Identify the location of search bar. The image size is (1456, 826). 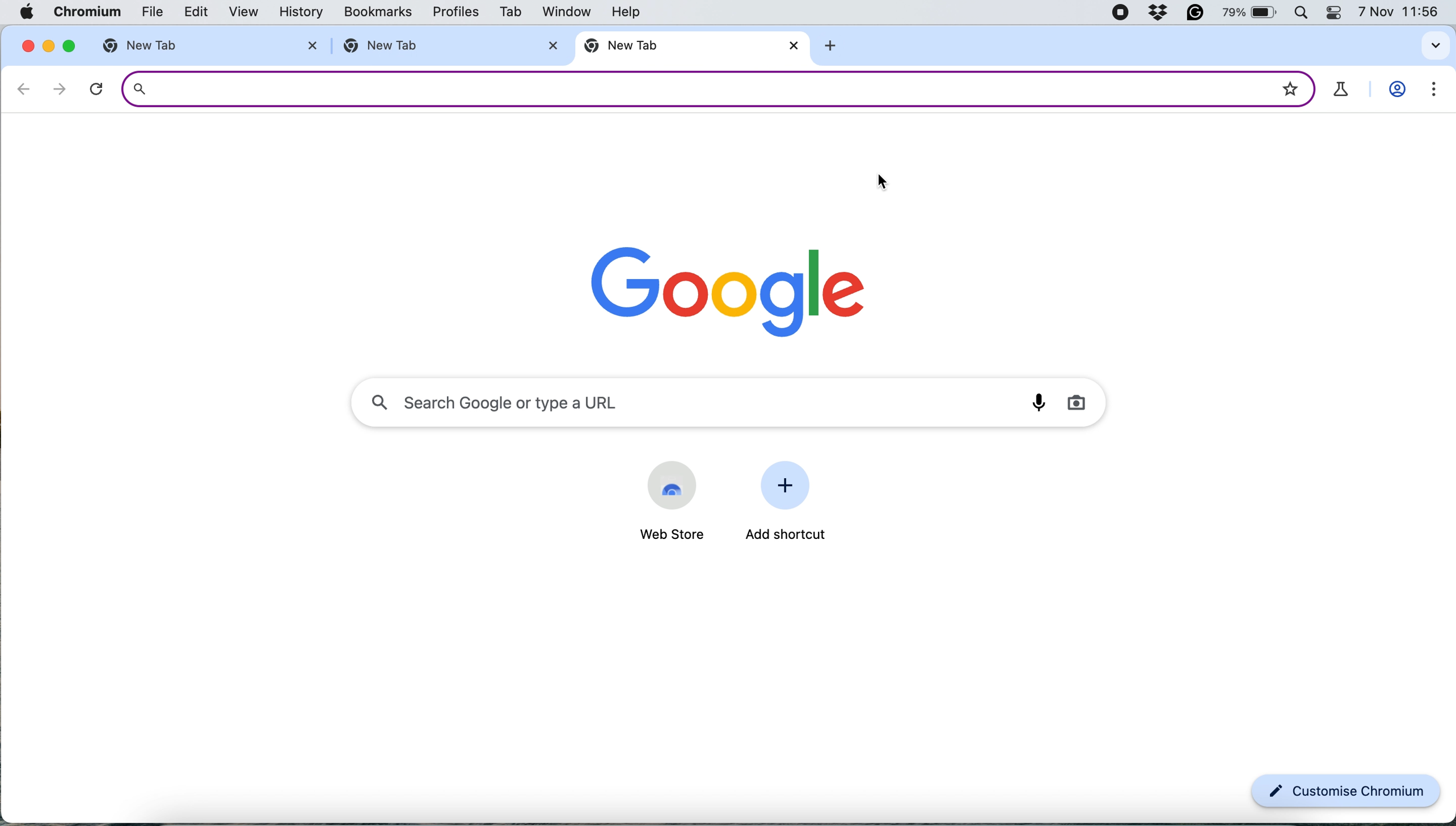
(687, 88).